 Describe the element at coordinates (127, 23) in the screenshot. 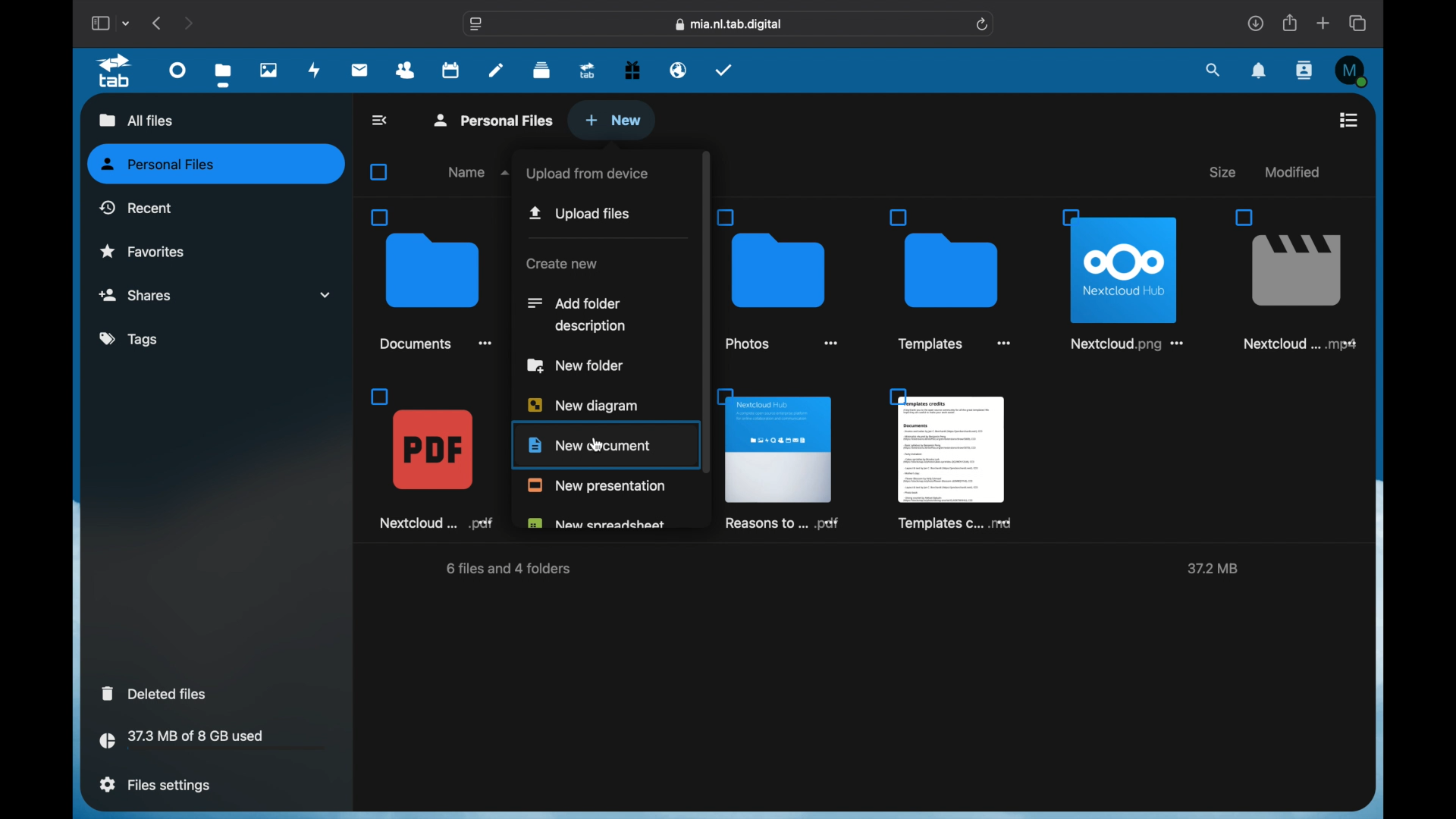

I see `tab group picker` at that location.